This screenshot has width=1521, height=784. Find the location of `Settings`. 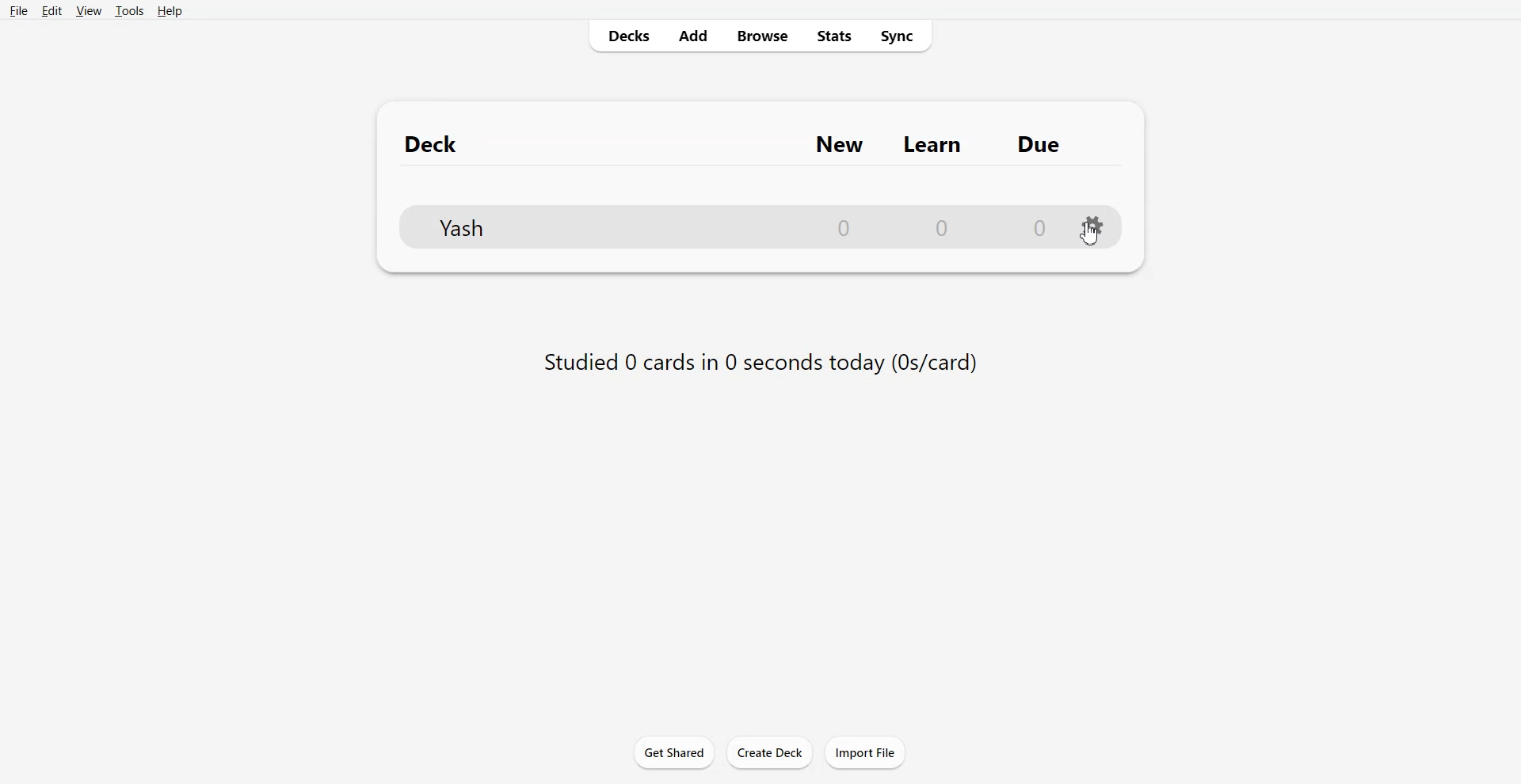

Settings is located at coordinates (1095, 230).